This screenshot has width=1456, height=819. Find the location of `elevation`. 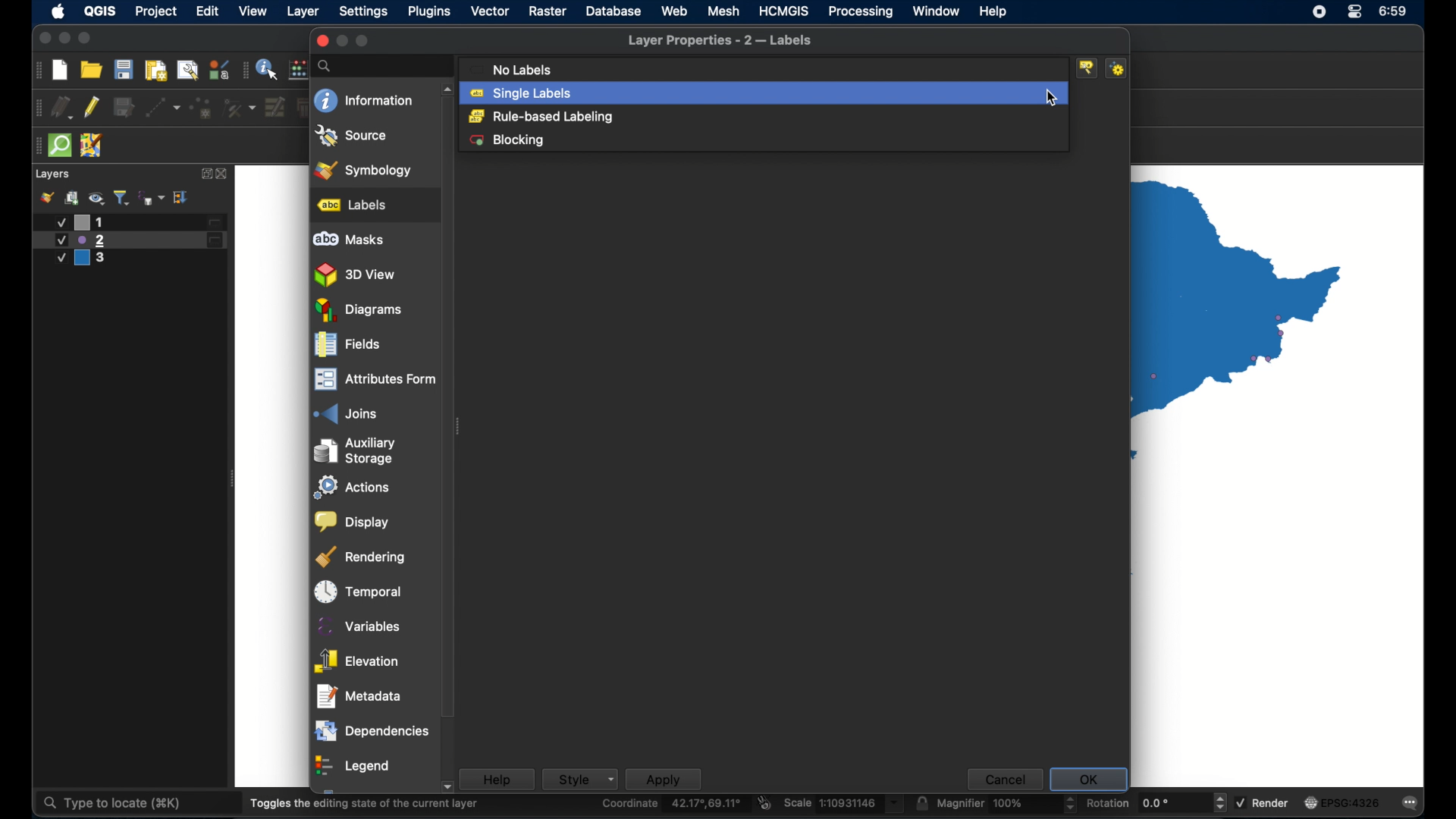

elevation is located at coordinates (357, 661).